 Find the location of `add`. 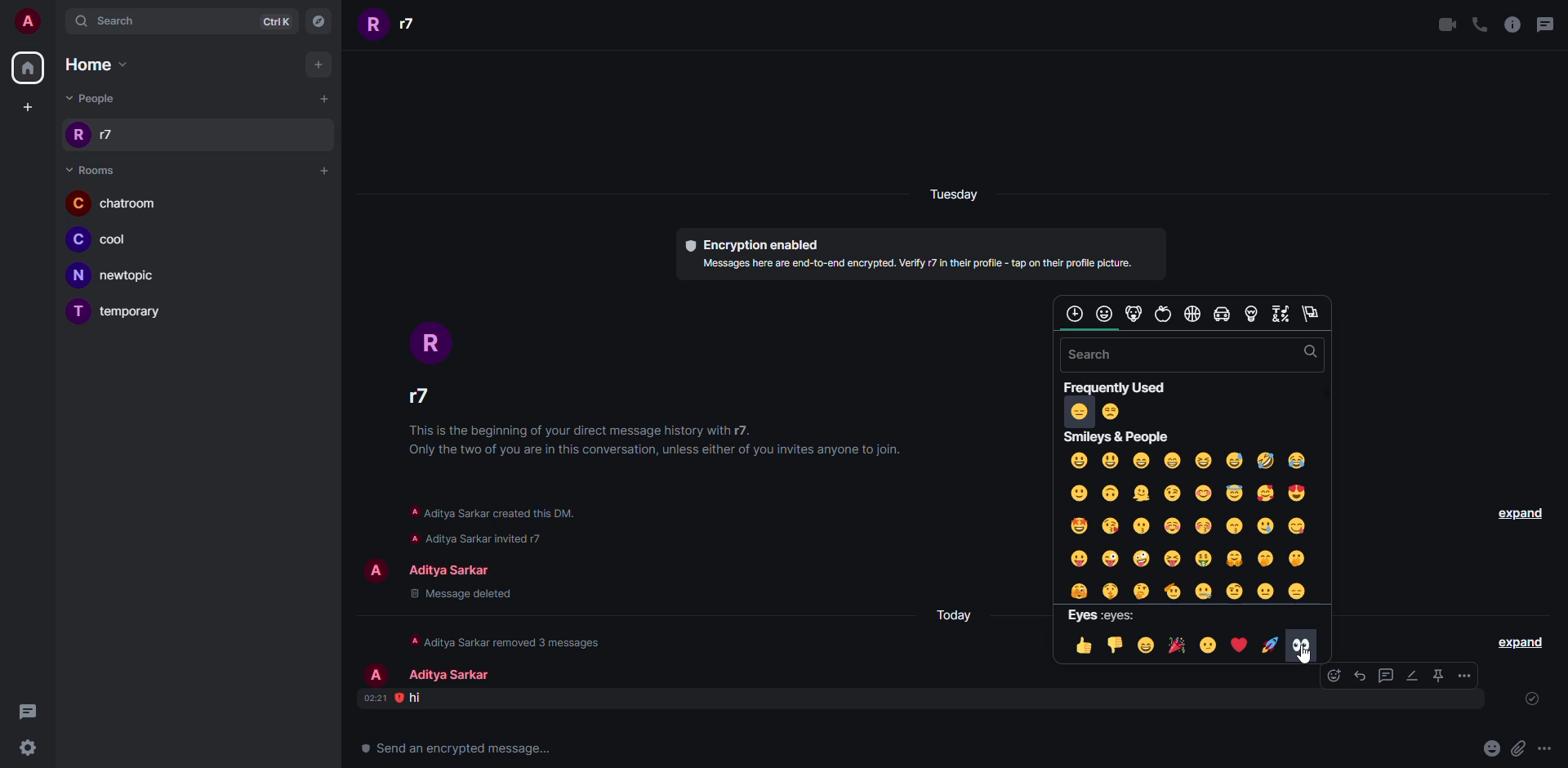

add is located at coordinates (322, 65).